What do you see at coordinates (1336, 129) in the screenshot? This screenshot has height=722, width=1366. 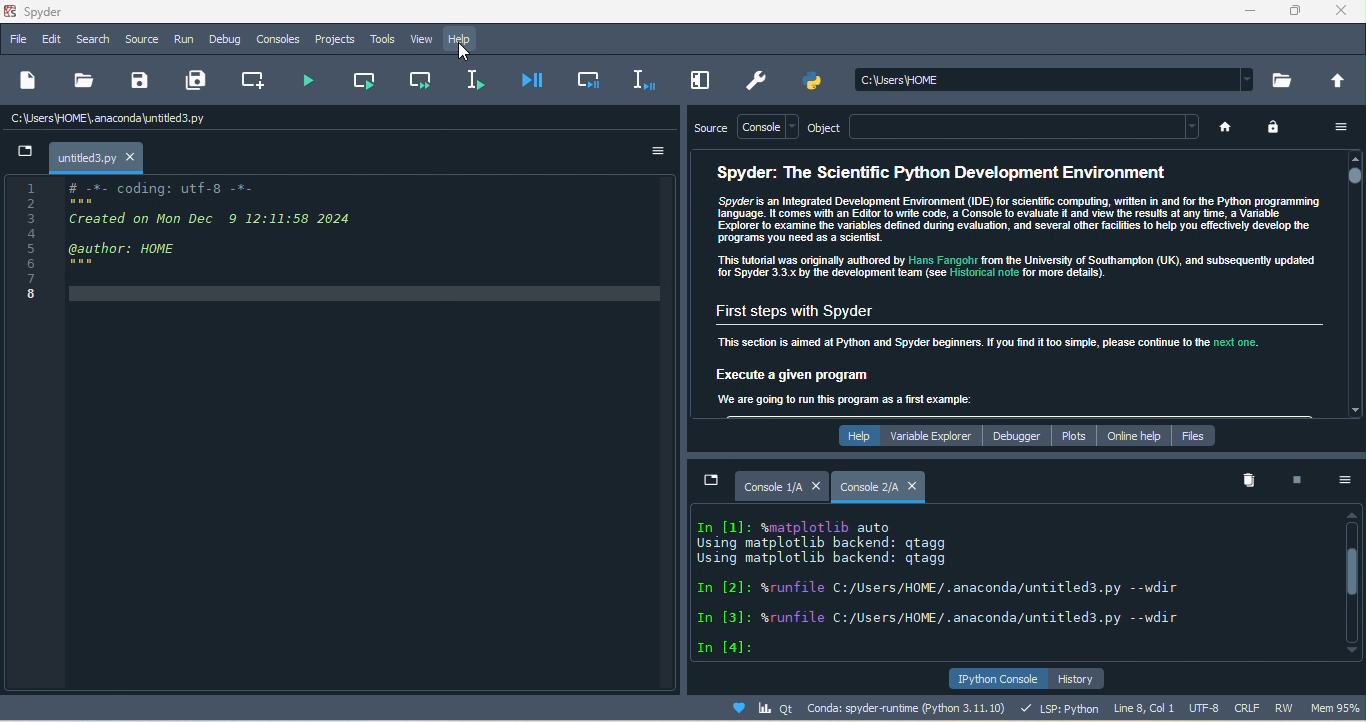 I see `option` at bounding box center [1336, 129].